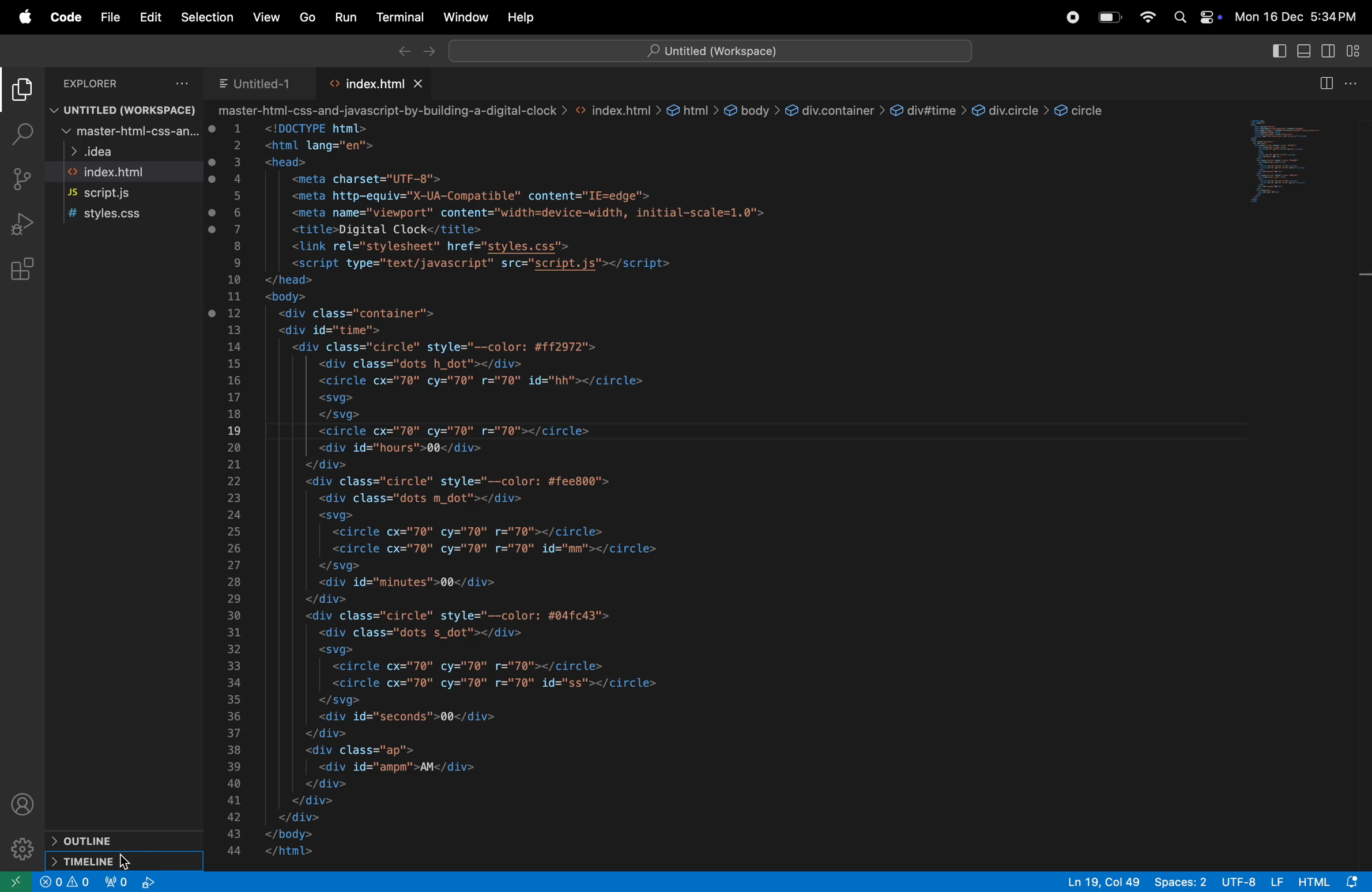 The image size is (1372, 892). I want to click on Ln 19, Col 49, so click(1100, 882).